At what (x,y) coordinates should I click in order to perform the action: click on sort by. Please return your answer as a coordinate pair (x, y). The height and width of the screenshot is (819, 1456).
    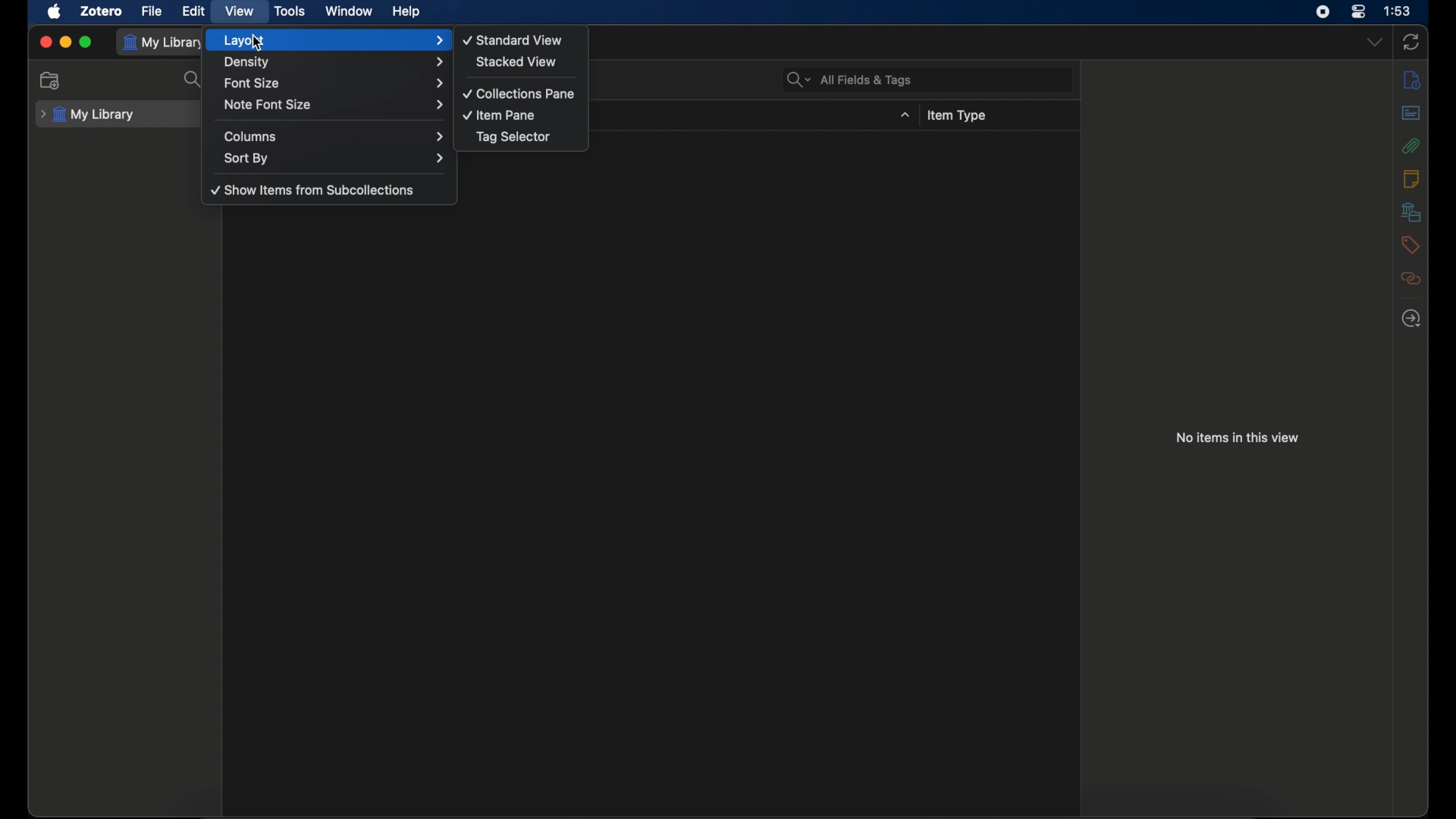
    Looking at the image, I should click on (336, 158).